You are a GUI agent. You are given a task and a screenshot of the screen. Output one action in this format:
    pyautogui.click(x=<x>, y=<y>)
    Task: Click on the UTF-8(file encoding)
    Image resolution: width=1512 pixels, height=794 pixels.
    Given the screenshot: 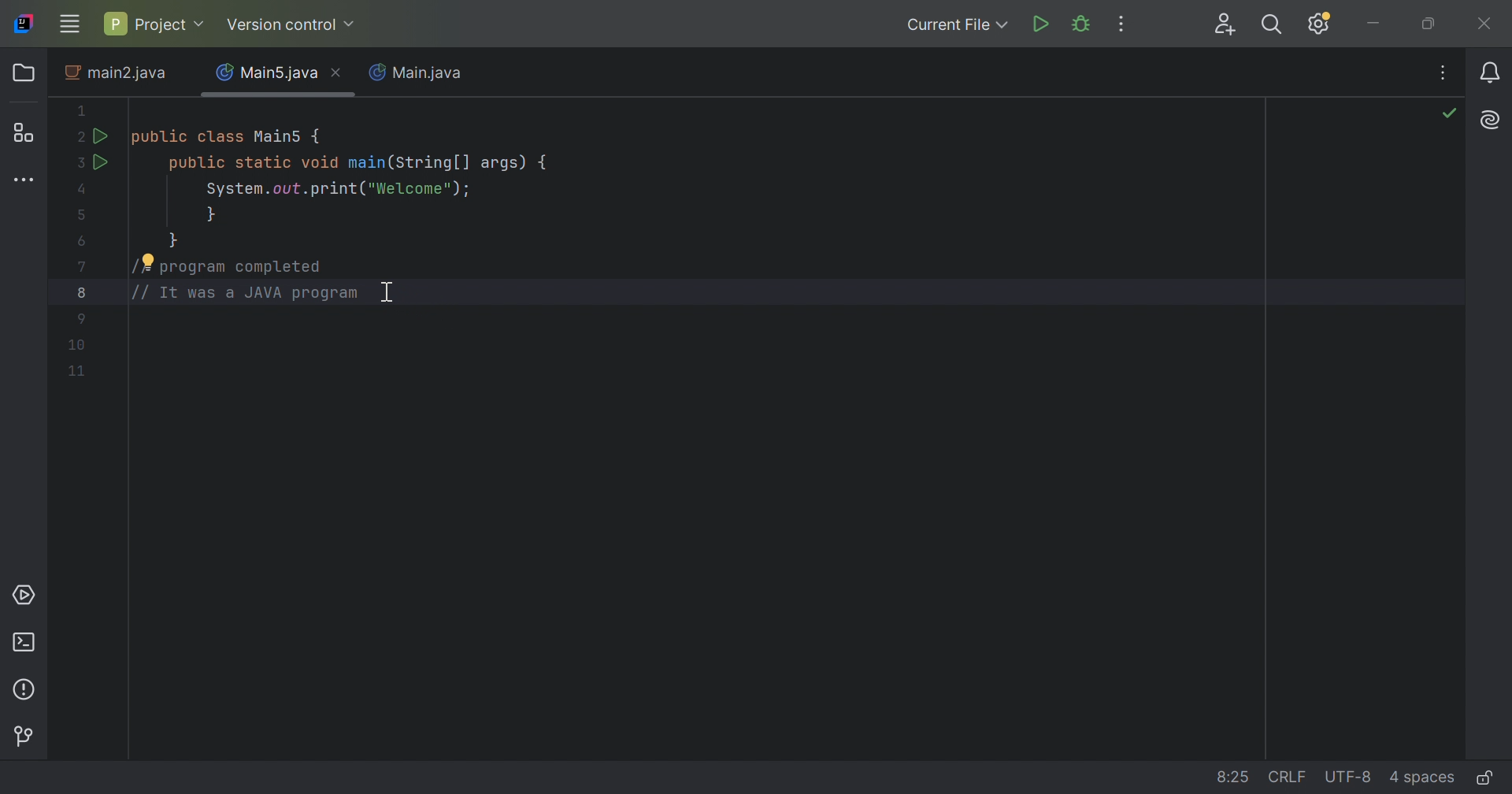 What is the action you would take?
    pyautogui.click(x=1347, y=777)
    